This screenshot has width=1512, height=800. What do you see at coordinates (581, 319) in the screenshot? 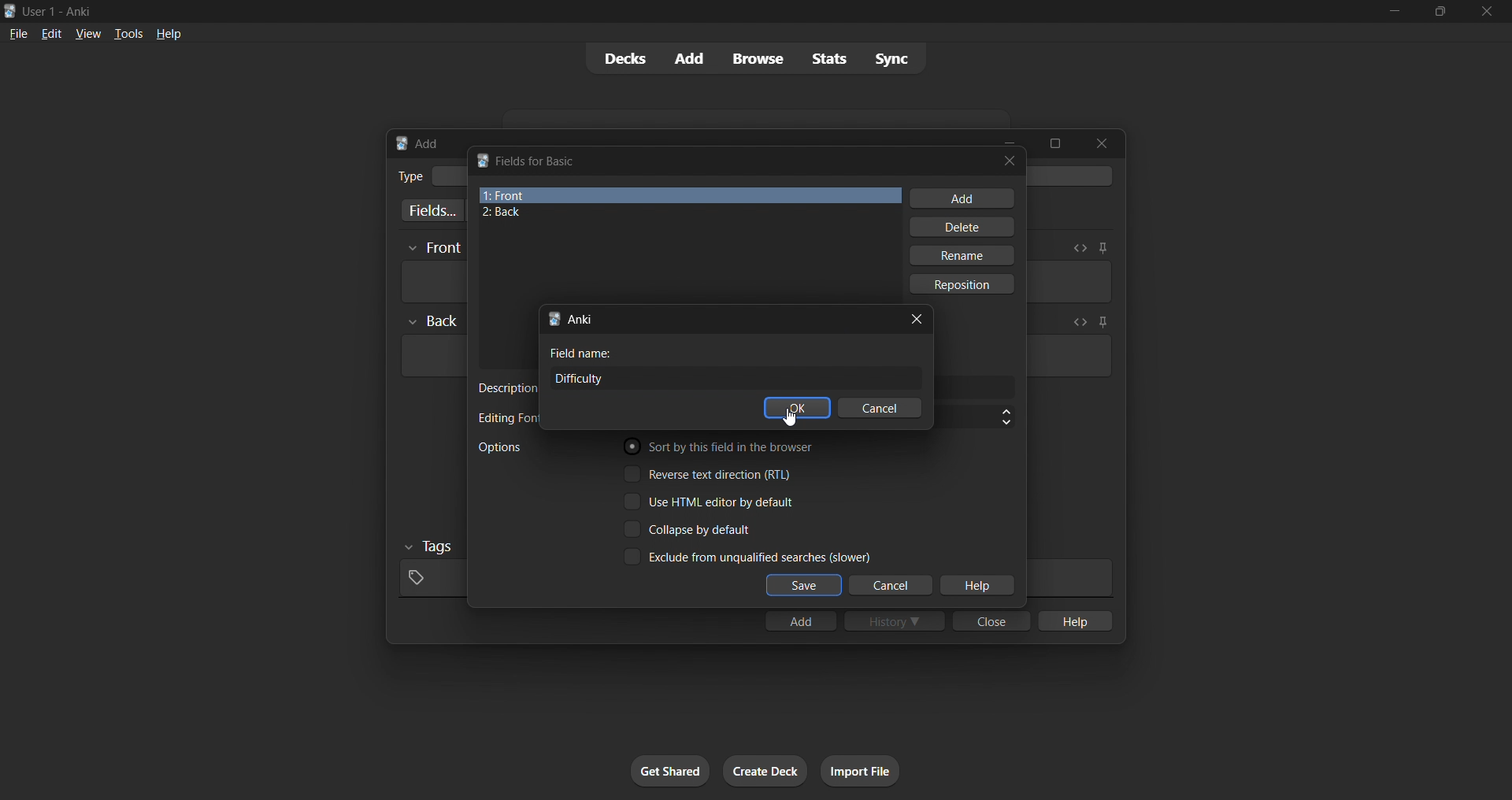
I see `add field title bar` at bounding box center [581, 319].